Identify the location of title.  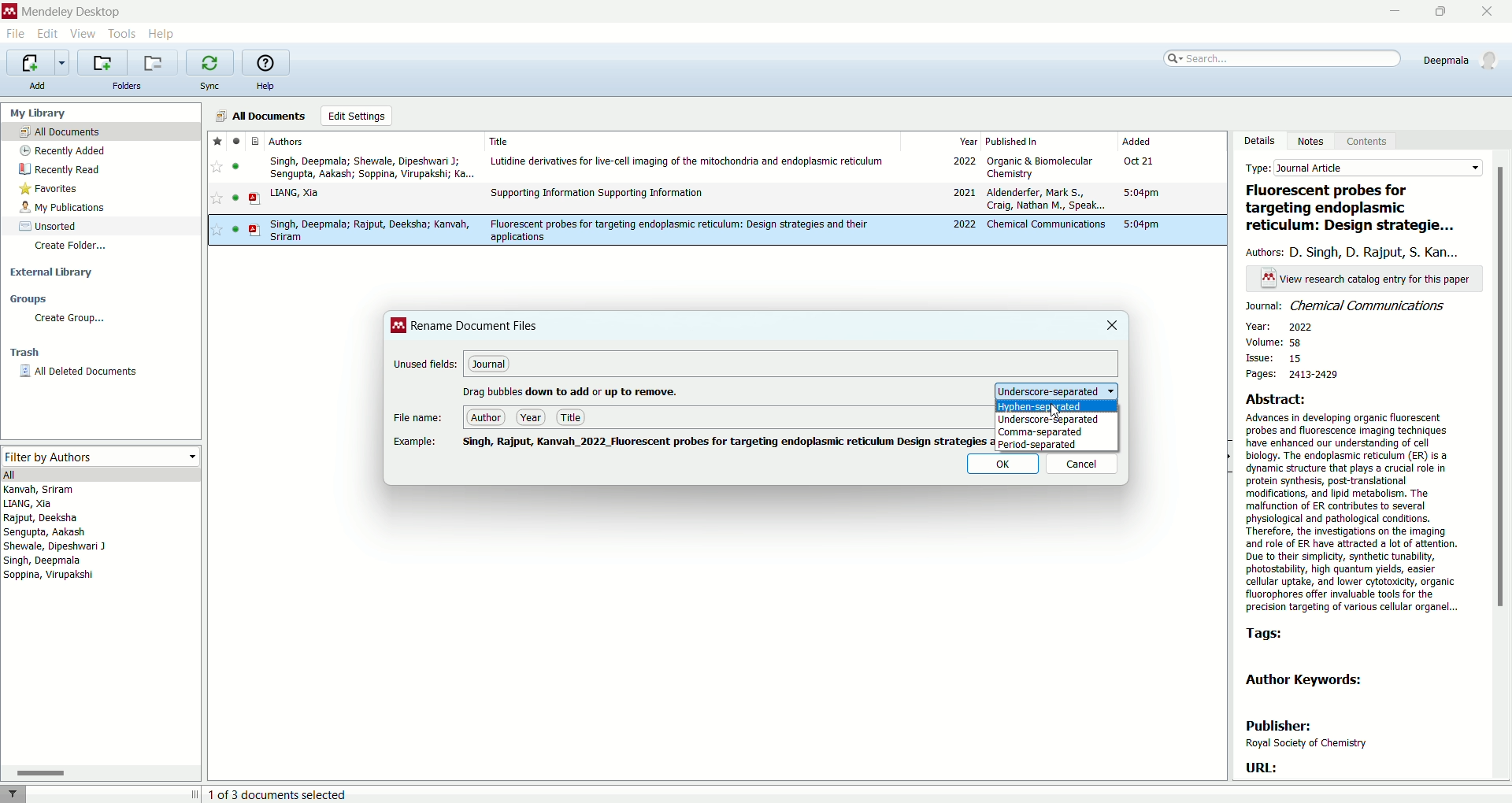
(571, 417).